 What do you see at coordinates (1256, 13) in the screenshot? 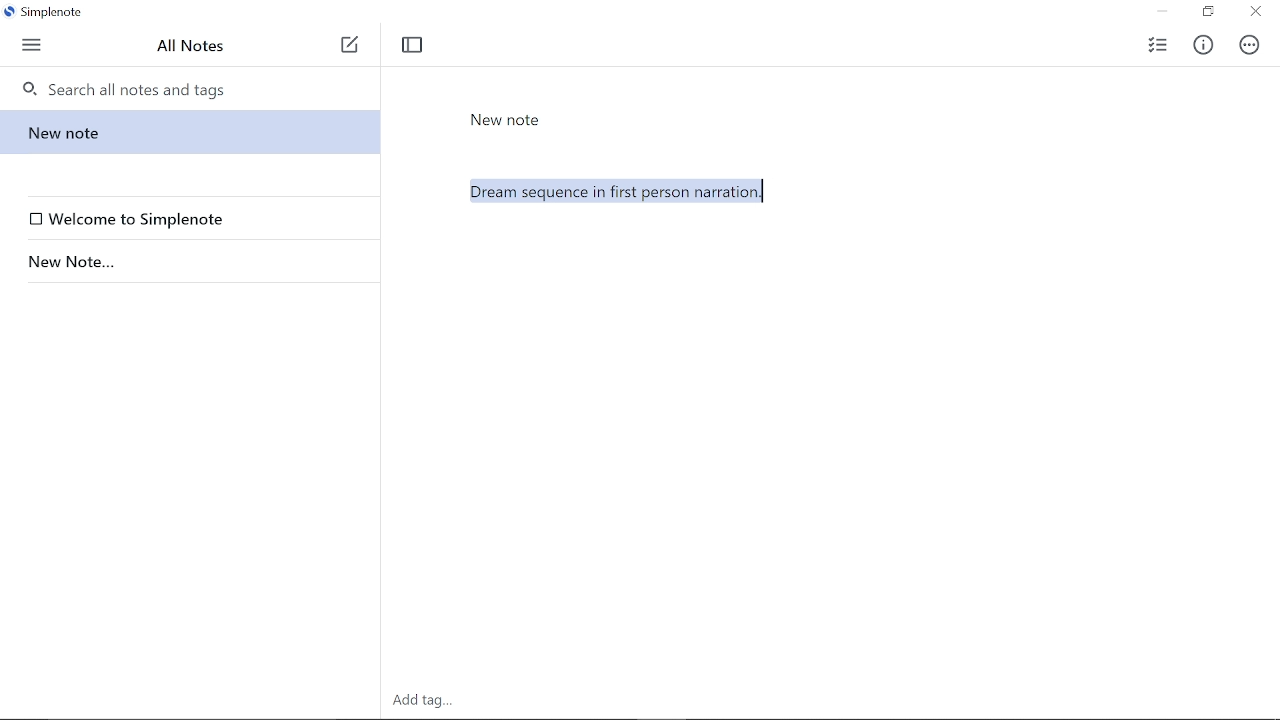
I see `Close` at bounding box center [1256, 13].